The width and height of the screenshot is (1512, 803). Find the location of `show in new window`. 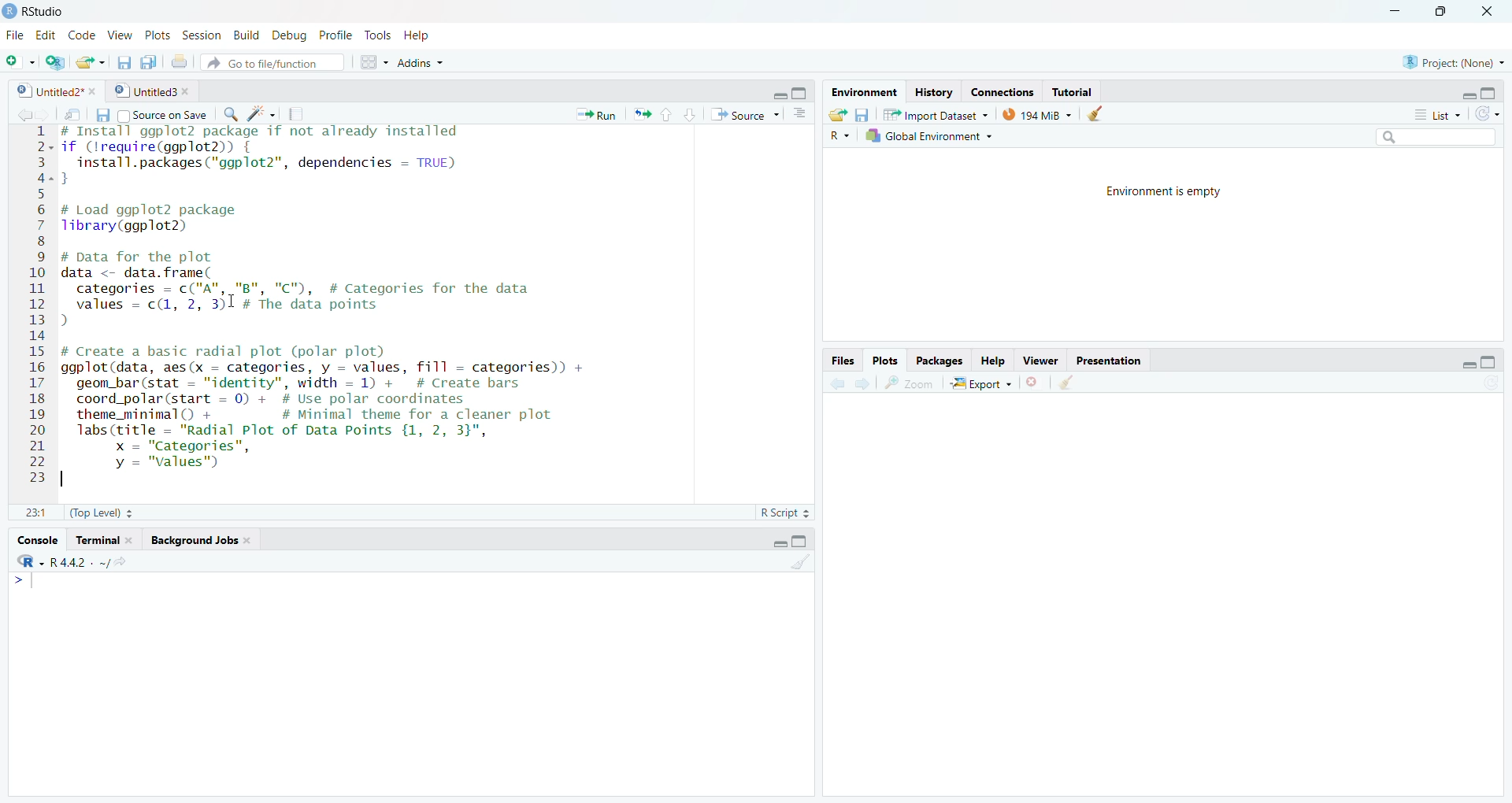

show in new window is located at coordinates (73, 117).